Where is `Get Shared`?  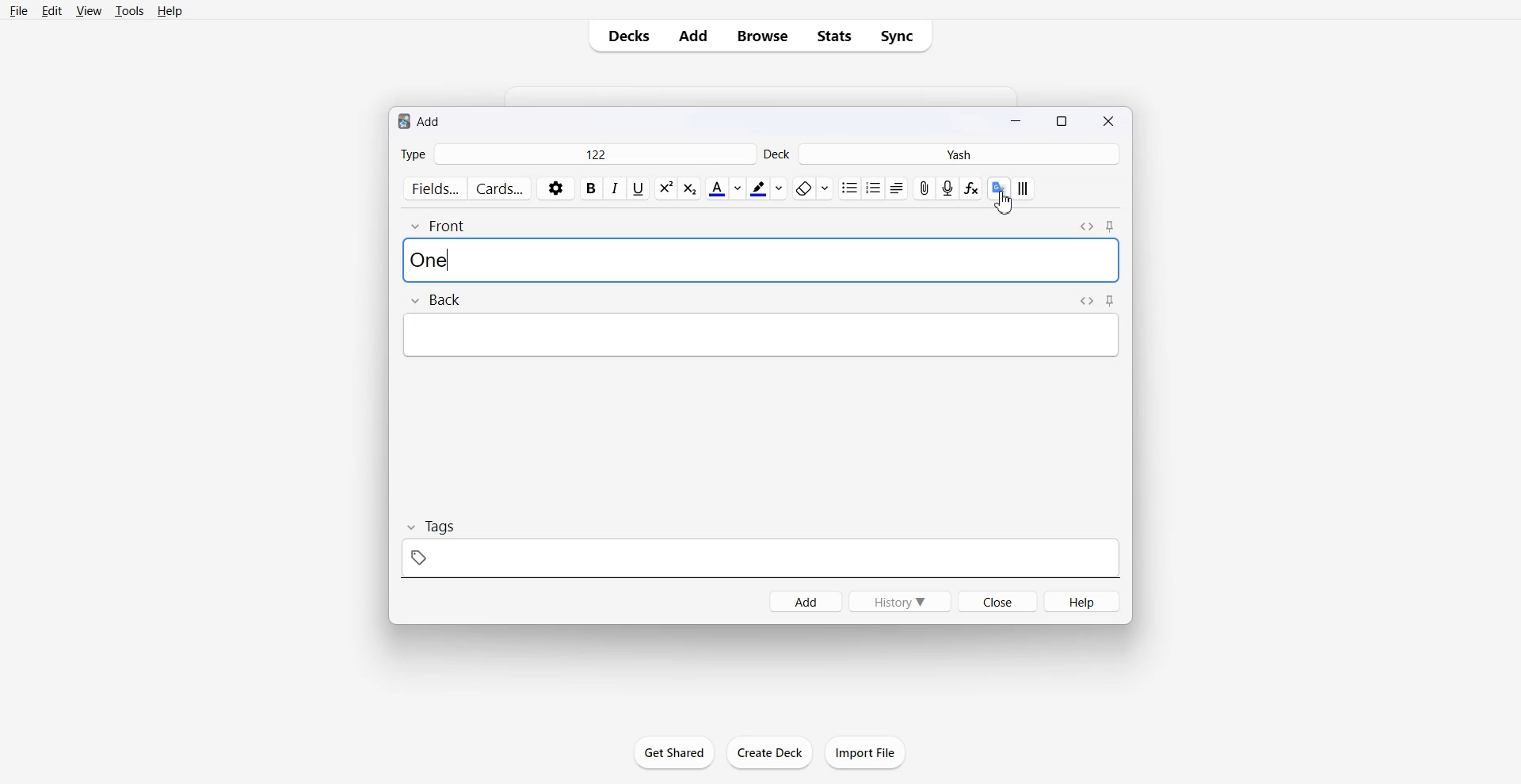 Get Shared is located at coordinates (675, 752).